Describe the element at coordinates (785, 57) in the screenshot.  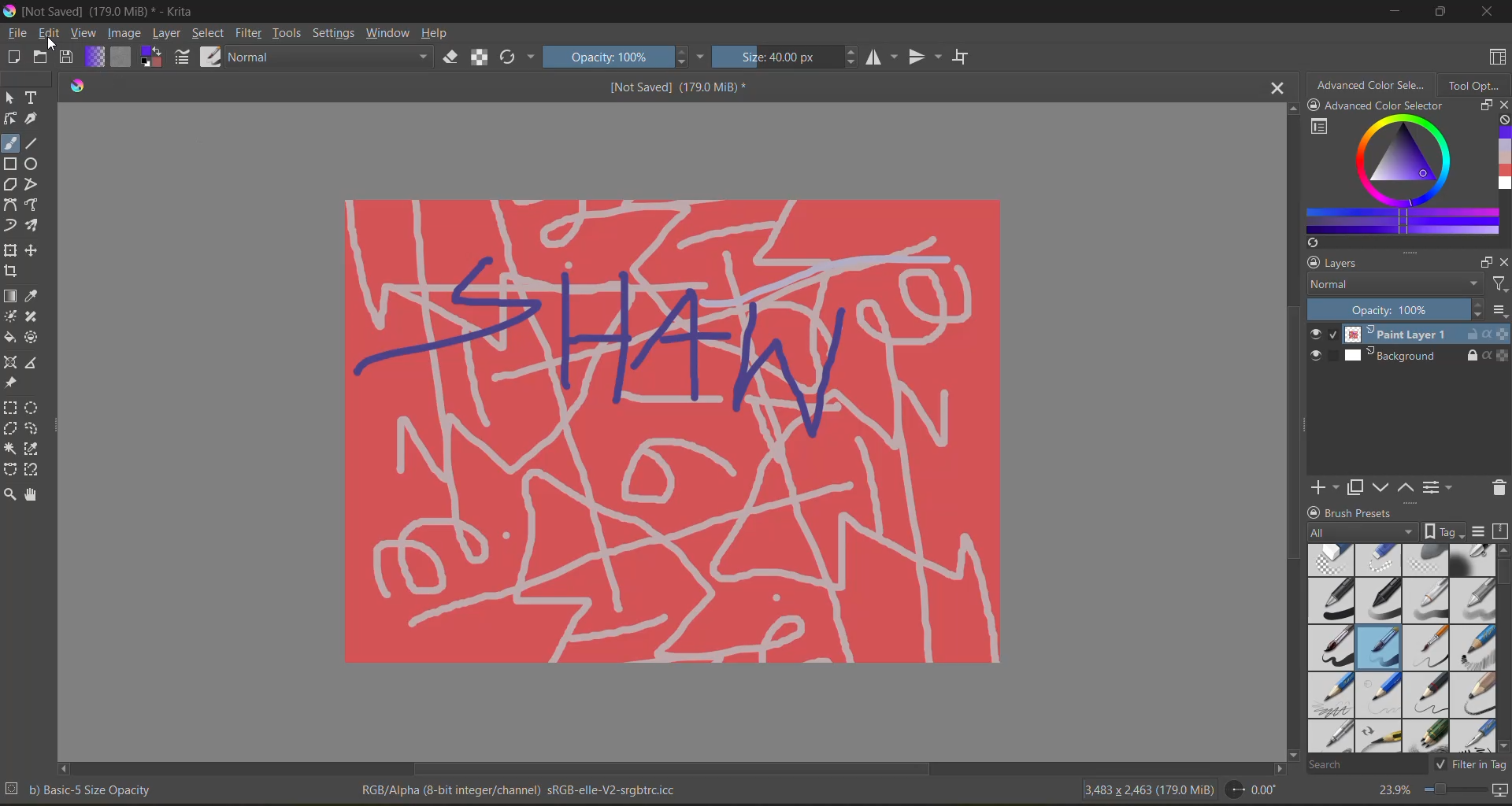
I see `Size: 40.00 px` at that location.